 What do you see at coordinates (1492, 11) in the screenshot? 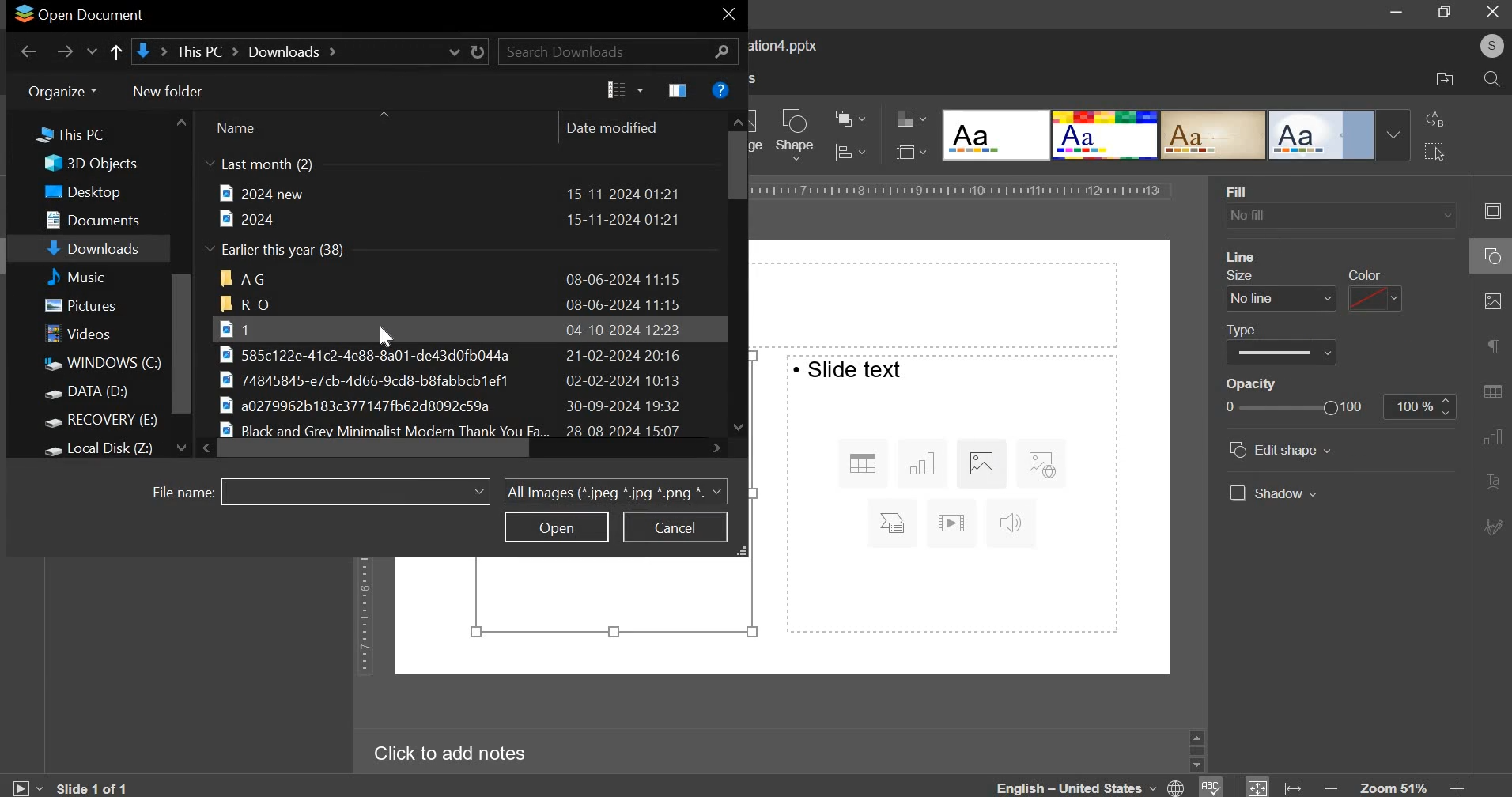
I see `close` at bounding box center [1492, 11].